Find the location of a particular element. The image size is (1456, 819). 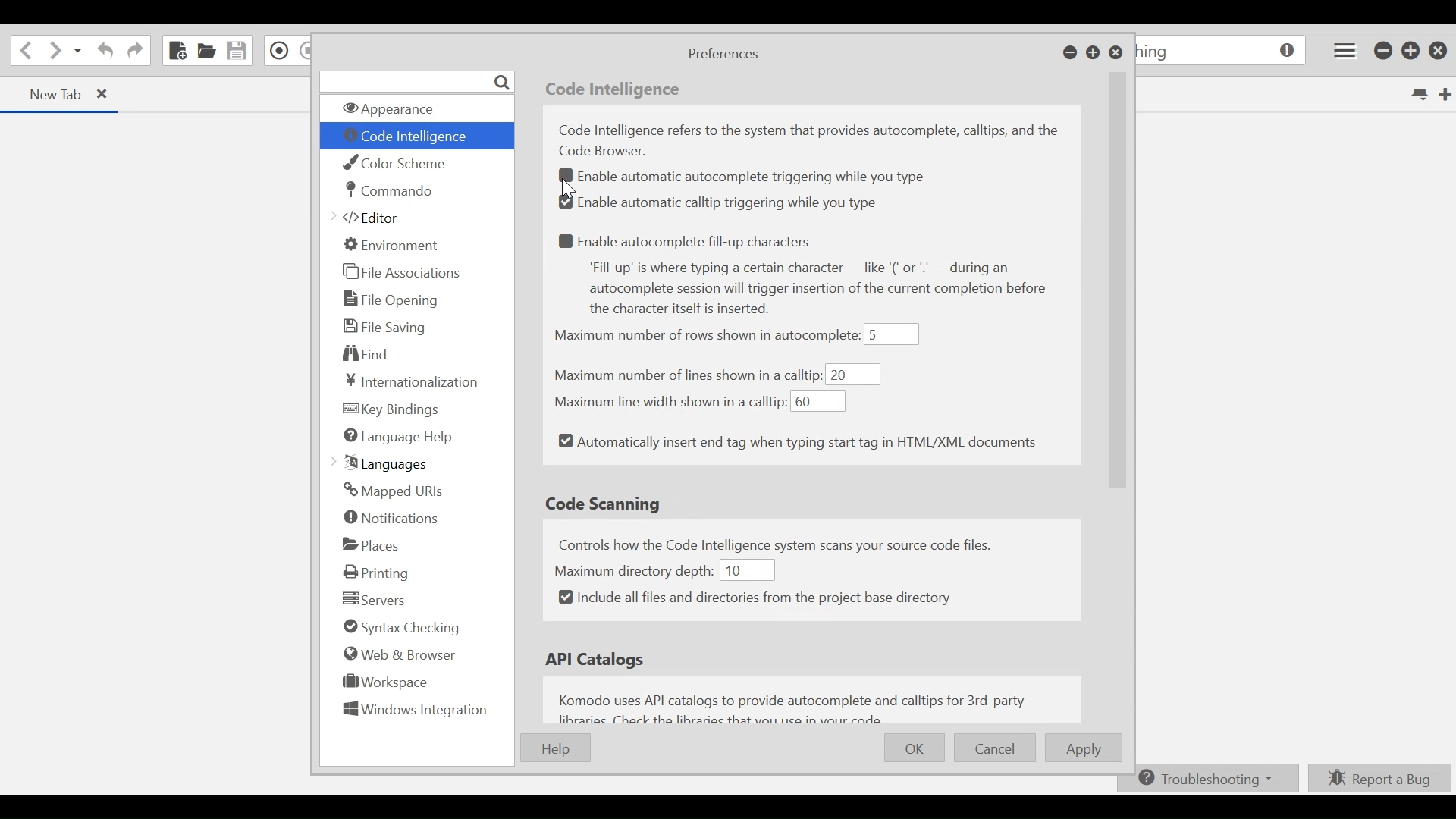

Mapped URLs is located at coordinates (392, 491).